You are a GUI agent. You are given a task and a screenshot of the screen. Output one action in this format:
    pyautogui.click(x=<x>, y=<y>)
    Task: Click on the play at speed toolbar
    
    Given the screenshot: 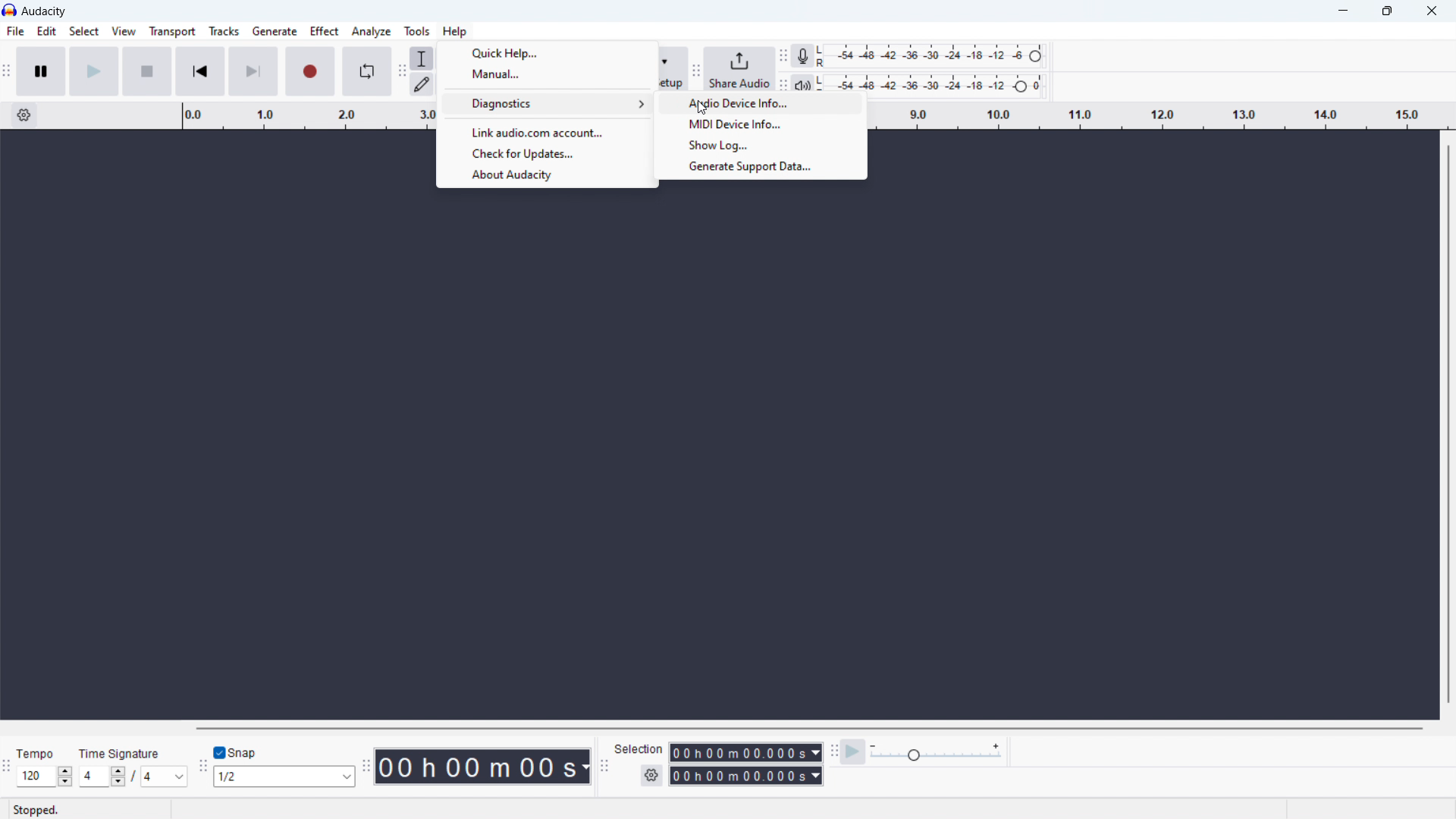 What is the action you would take?
    pyautogui.click(x=831, y=751)
    